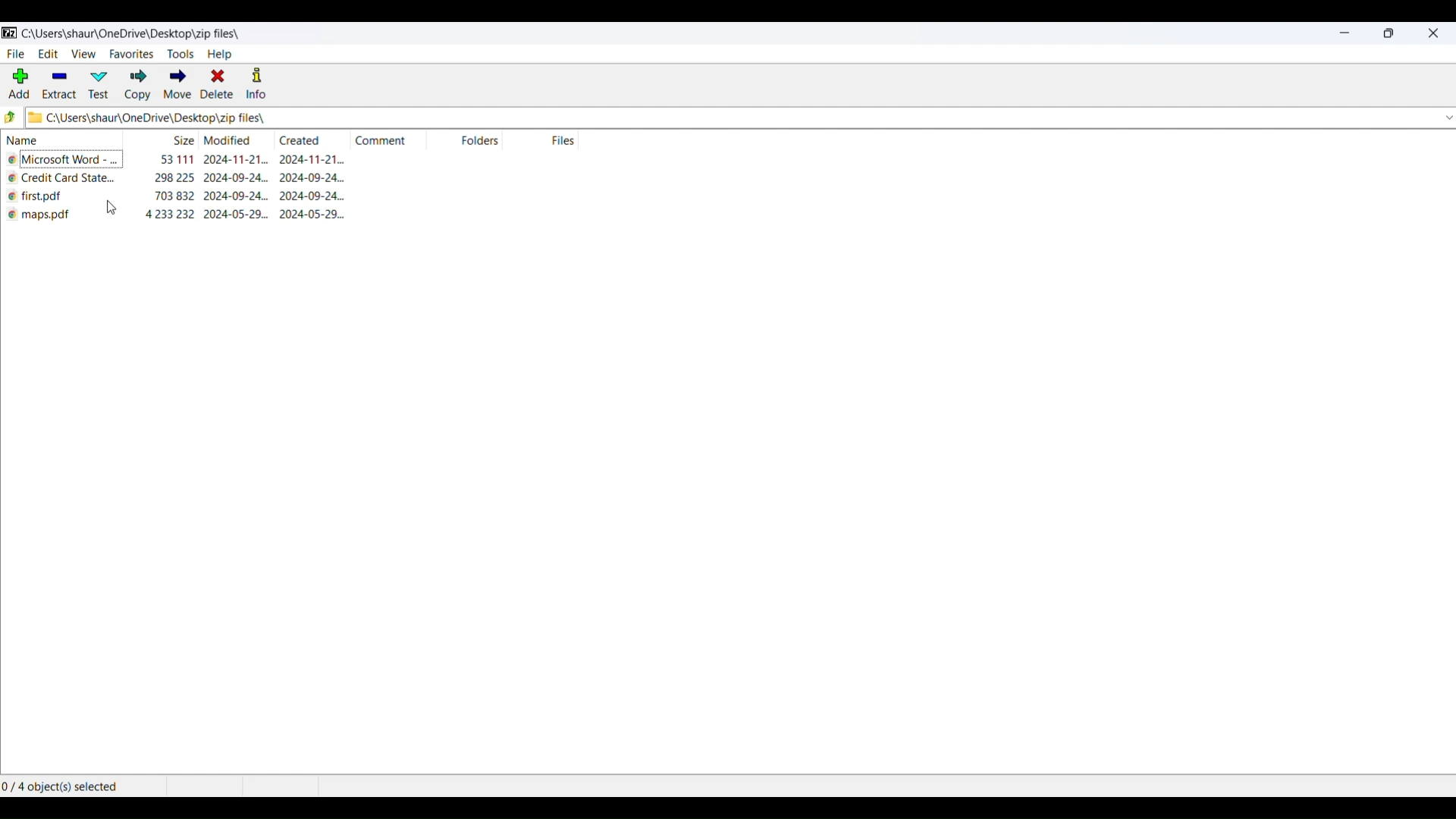 The height and width of the screenshot is (819, 1456). What do you see at coordinates (116, 210) in the screenshot?
I see `cursor` at bounding box center [116, 210].